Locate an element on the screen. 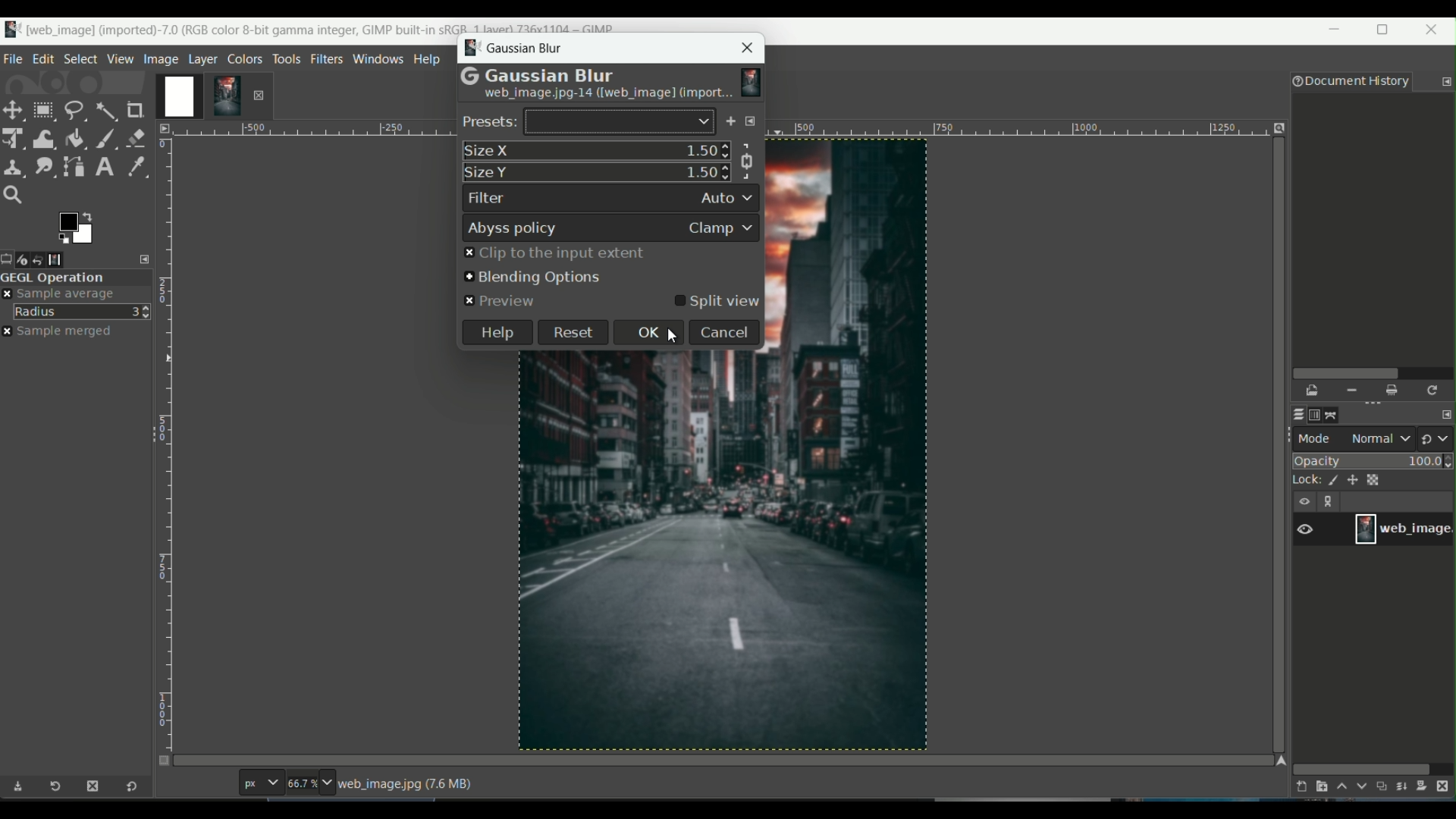  move tool is located at coordinates (14, 110).